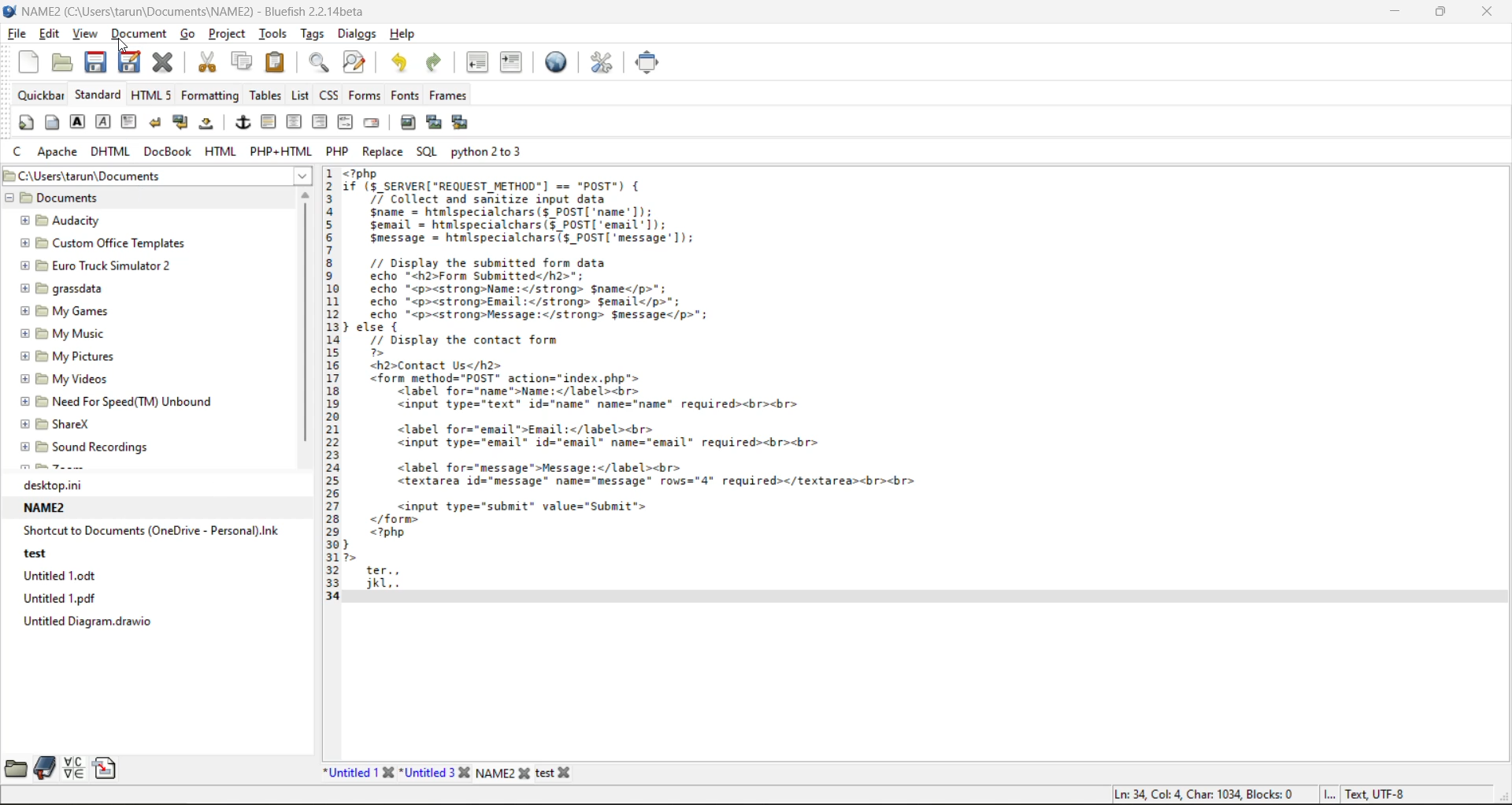 The height and width of the screenshot is (805, 1512). Describe the element at coordinates (406, 123) in the screenshot. I see `insert image` at that location.